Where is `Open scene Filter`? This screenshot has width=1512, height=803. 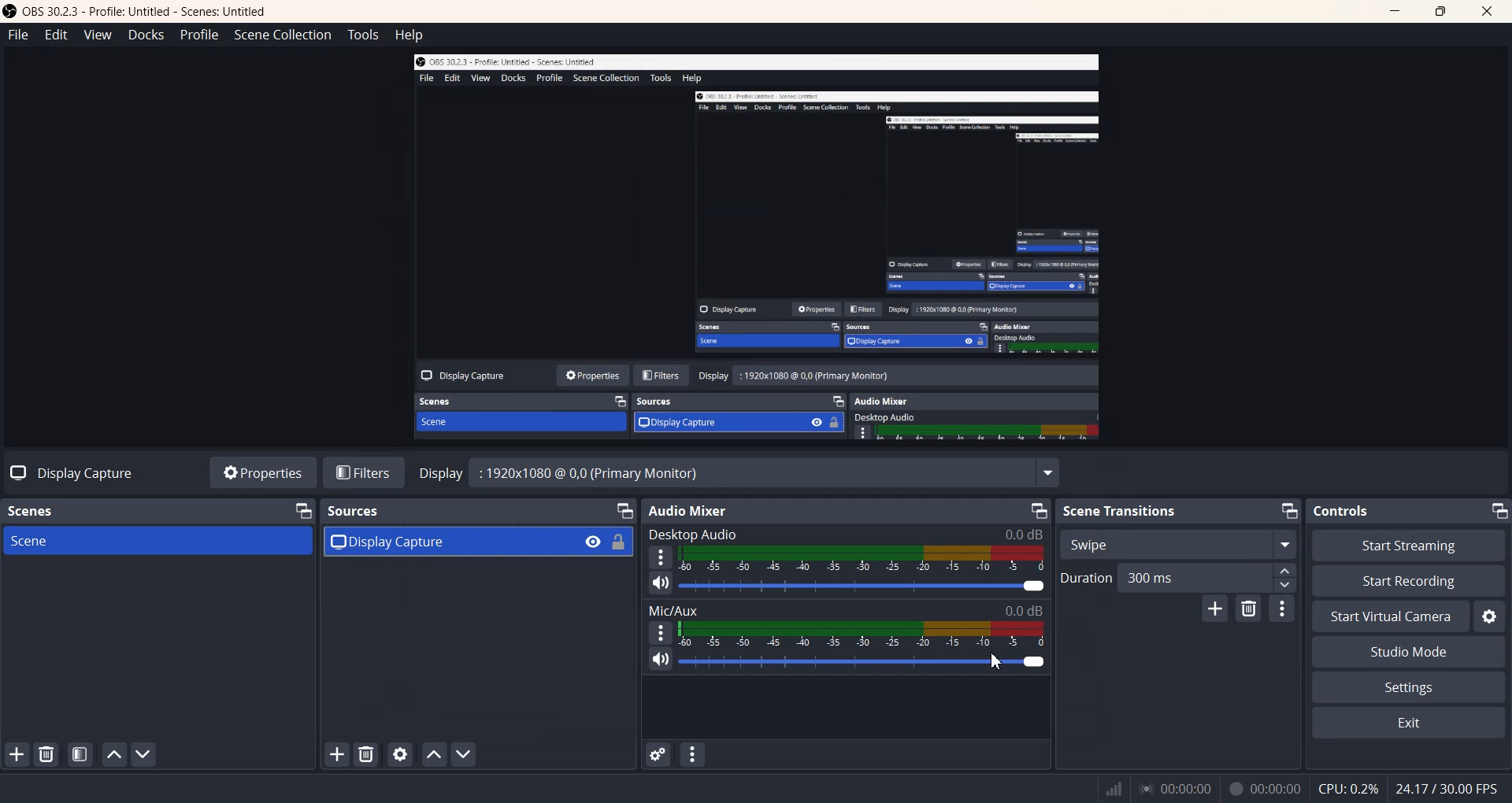
Open scene Filter is located at coordinates (80, 755).